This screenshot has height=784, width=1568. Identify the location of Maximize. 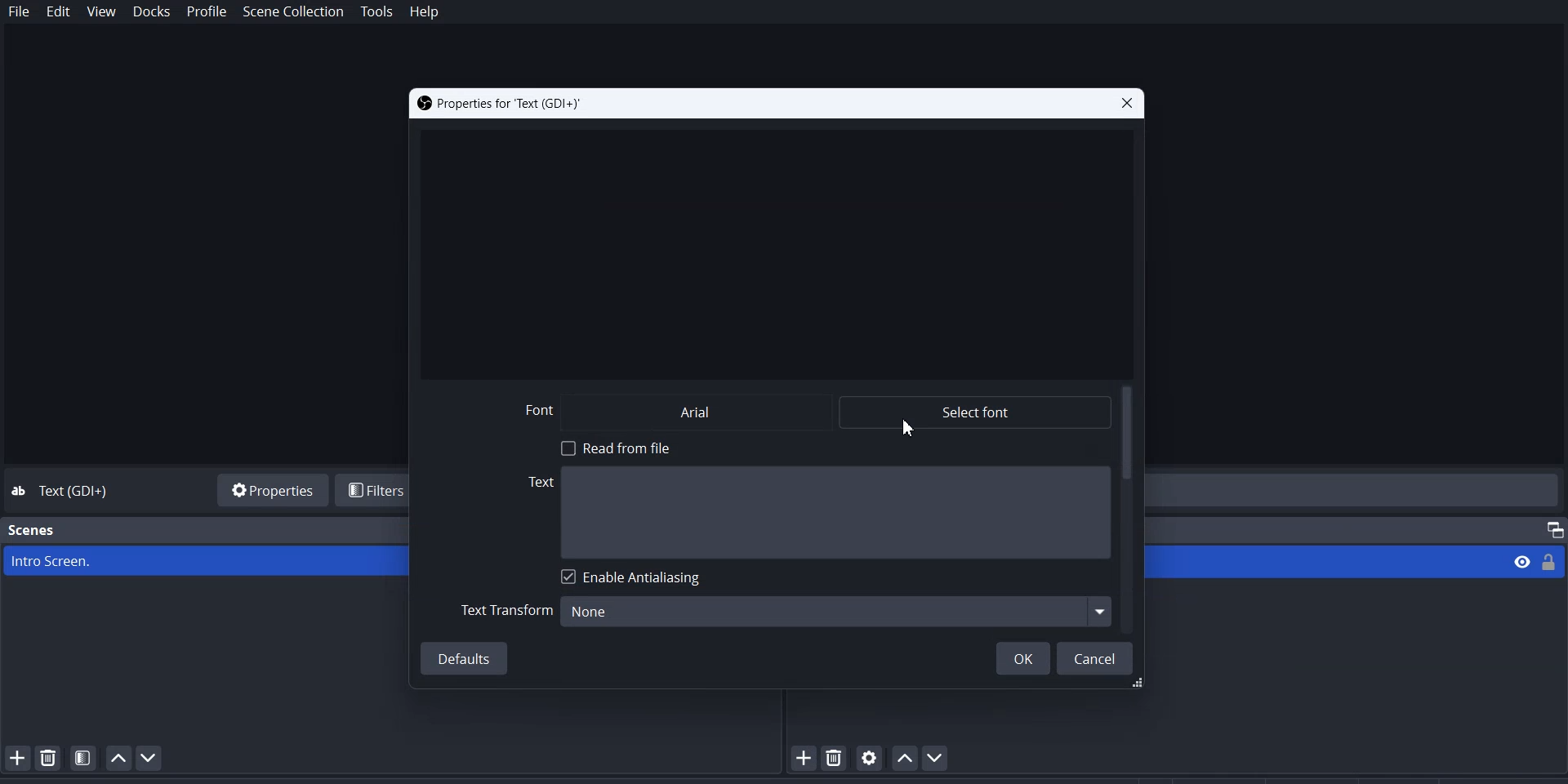
(1549, 523).